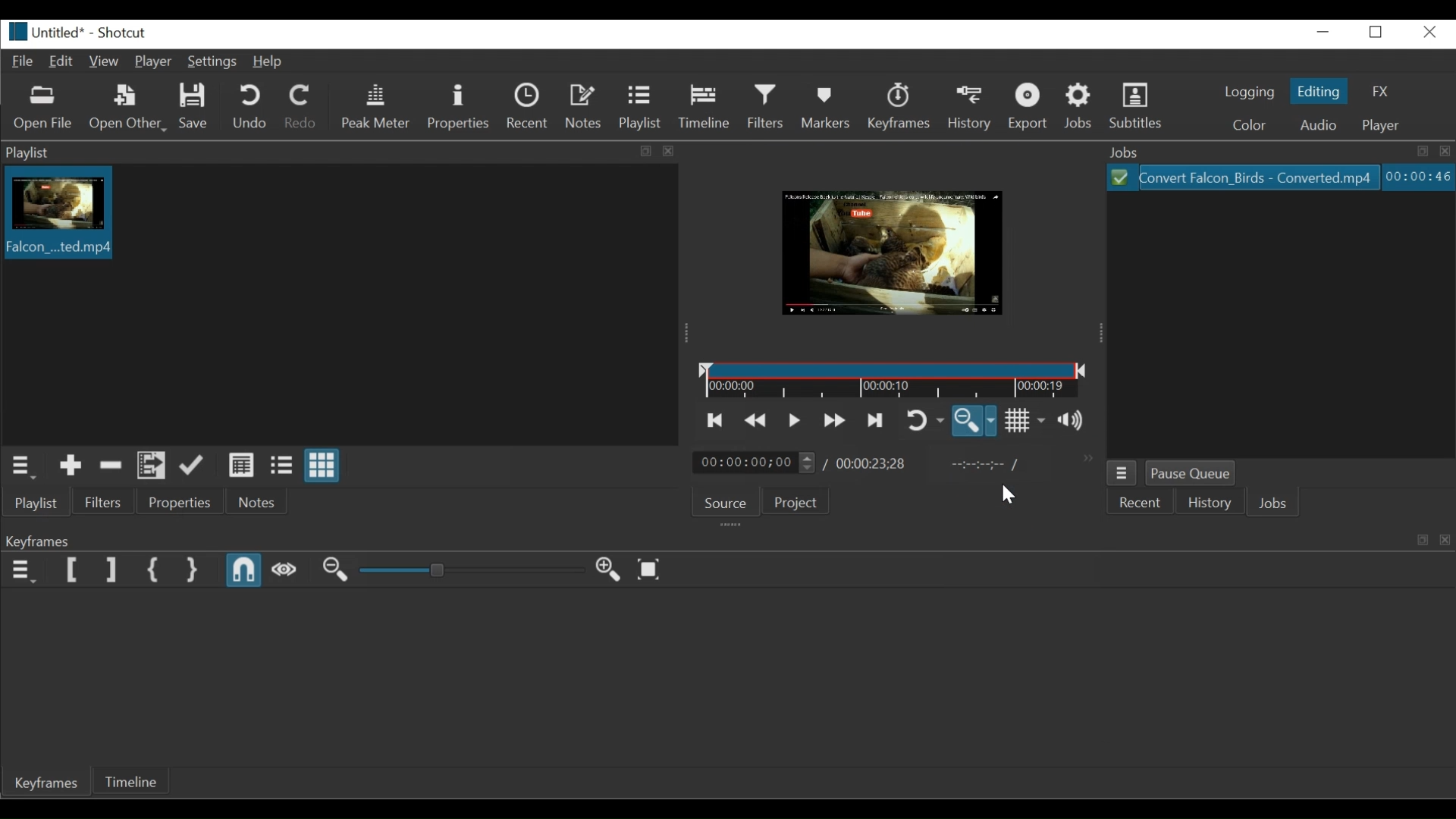 This screenshot has width=1456, height=819. I want to click on Set Filter First, so click(71, 570).